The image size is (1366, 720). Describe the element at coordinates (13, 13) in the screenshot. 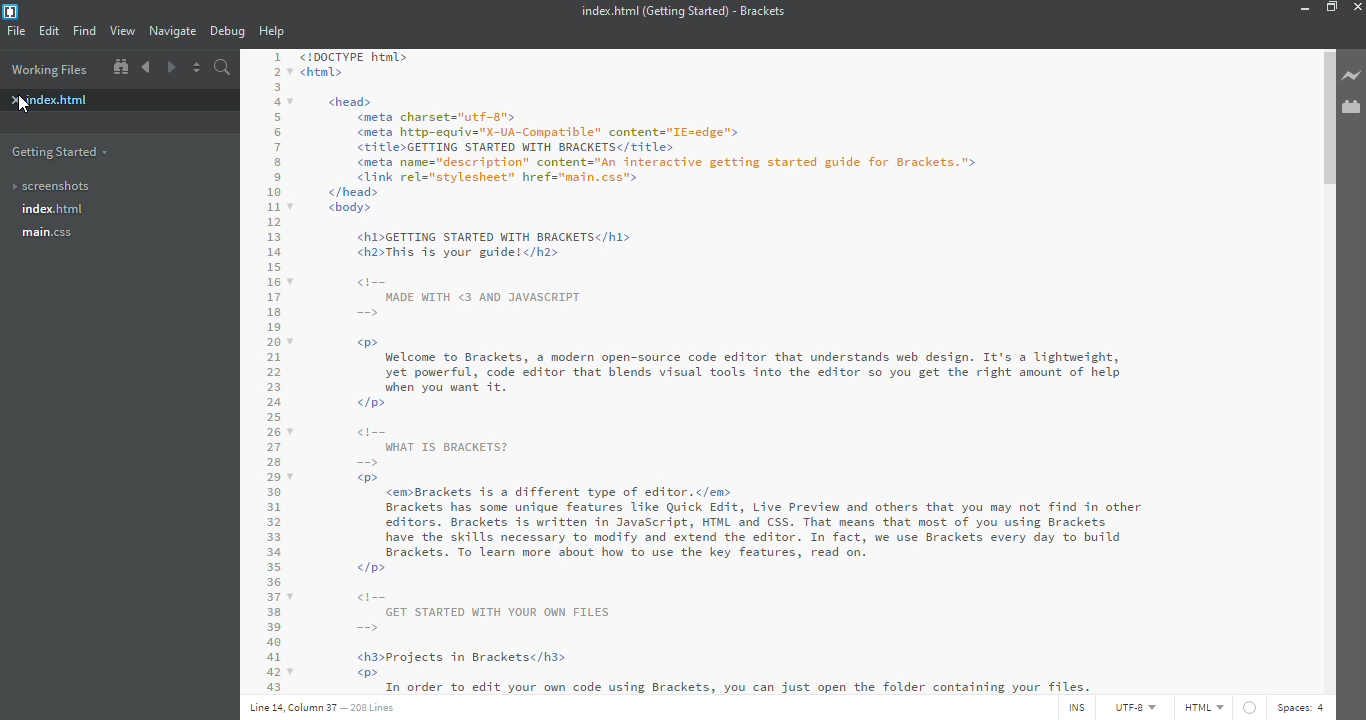

I see `bracket` at that location.